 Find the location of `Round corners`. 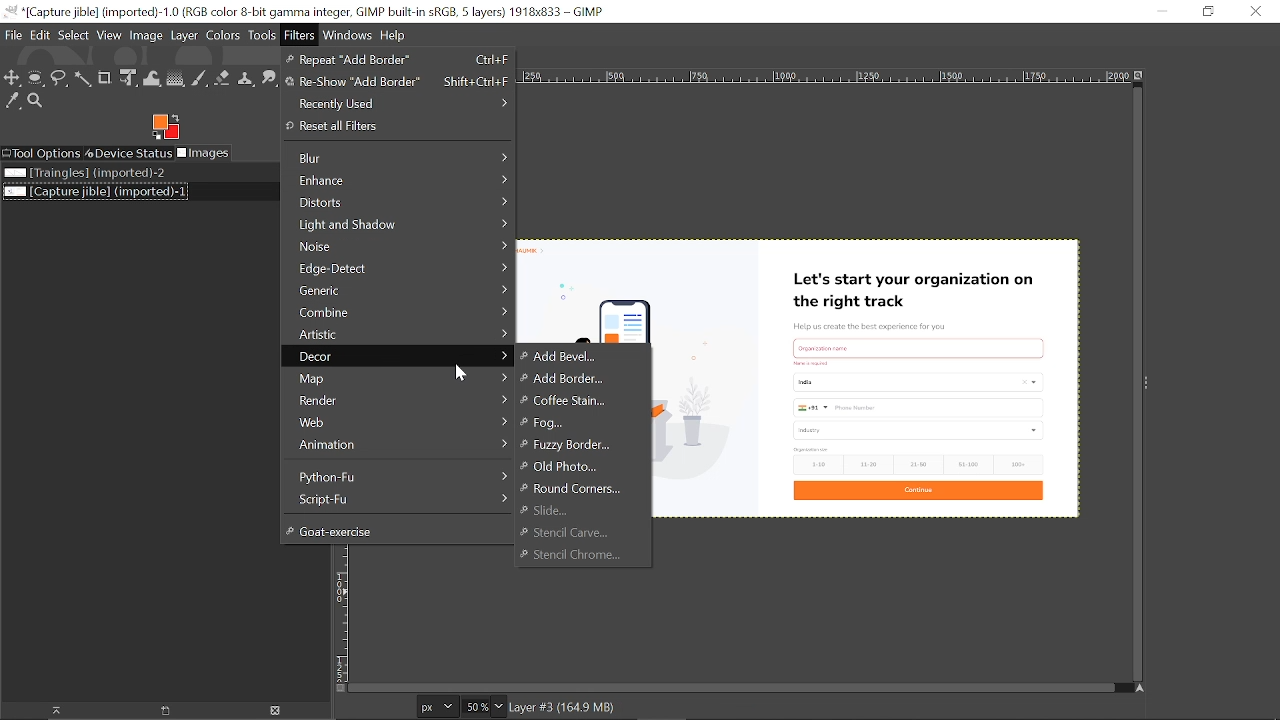

Round corners is located at coordinates (570, 490).